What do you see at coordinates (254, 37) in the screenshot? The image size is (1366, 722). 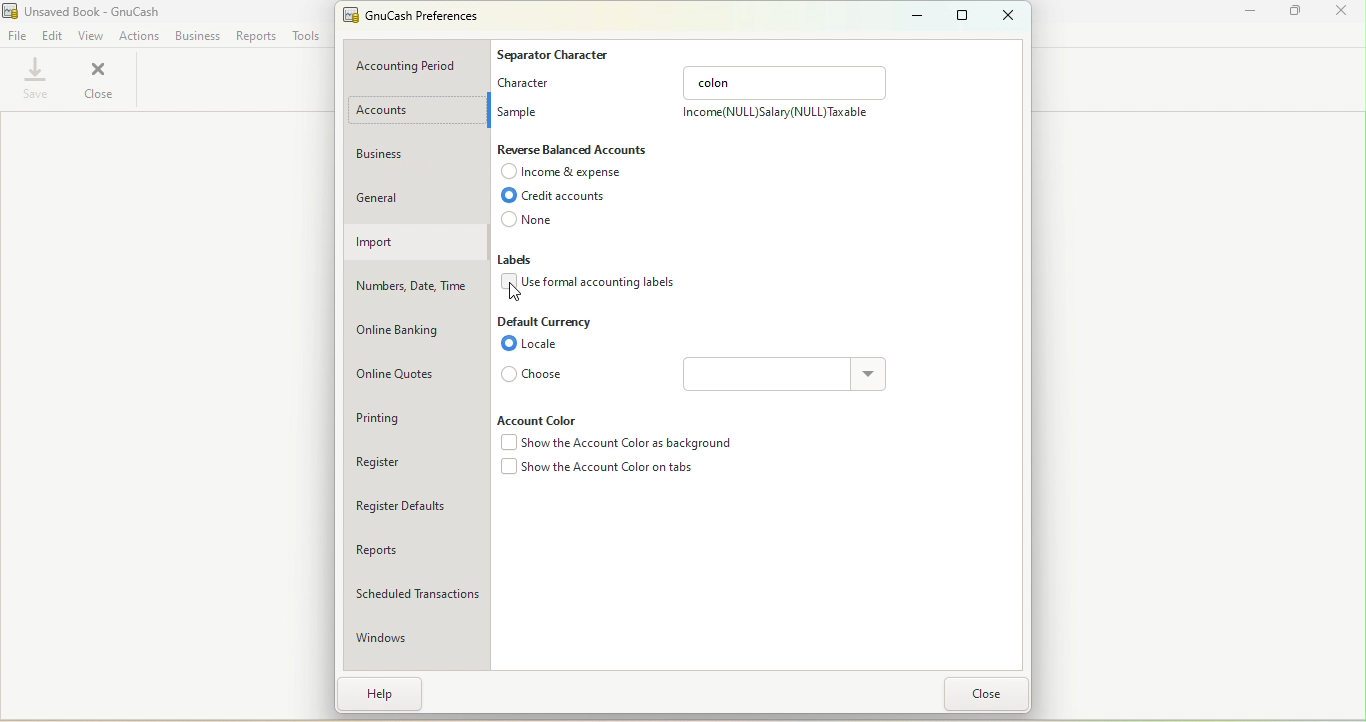 I see `Reports` at bounding box center [254, 37].